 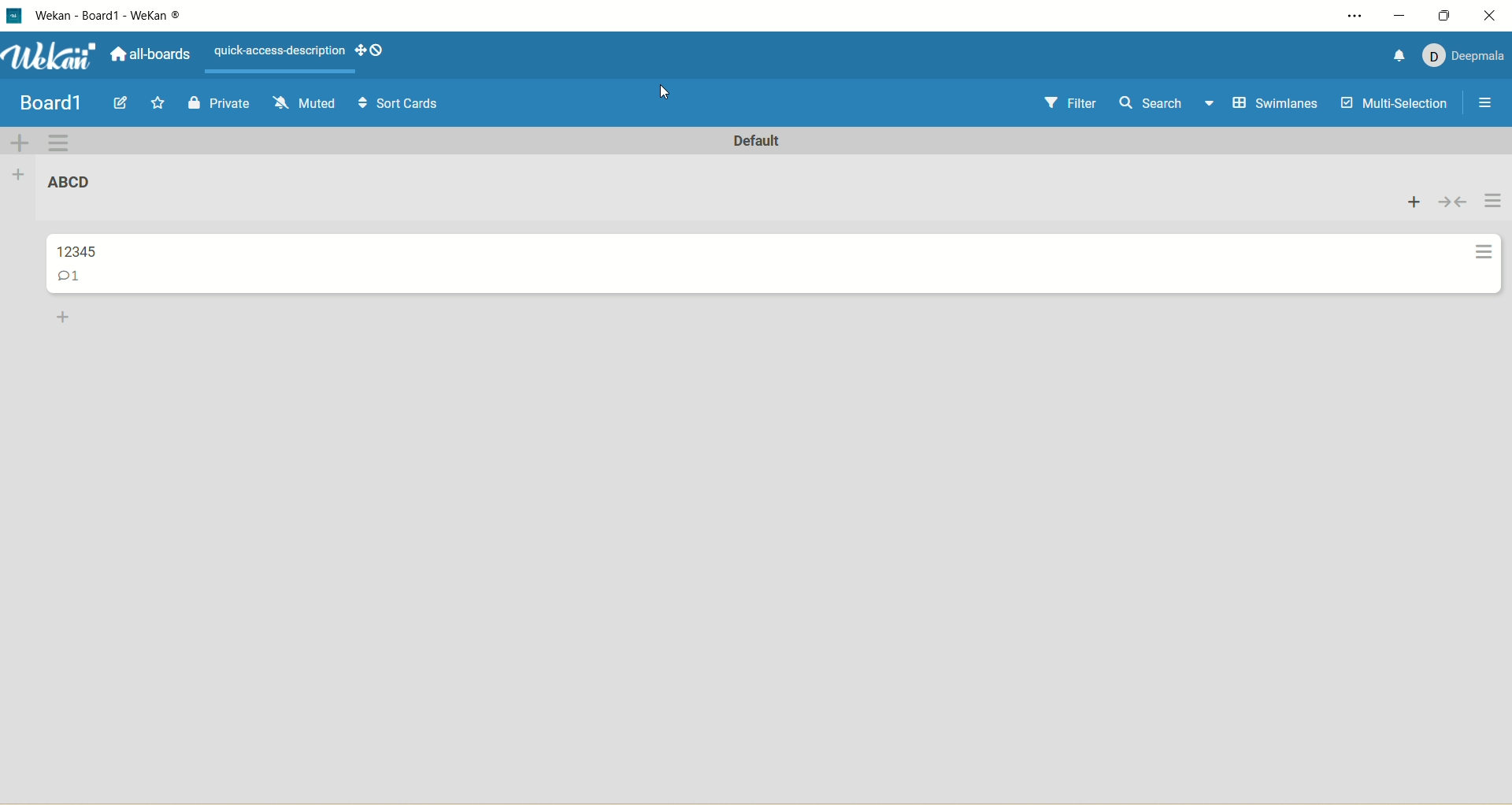 What do you see at coordinates (1359, 17) in the screenshot?
I see `settings and more` at bounding box center [1359, 17].